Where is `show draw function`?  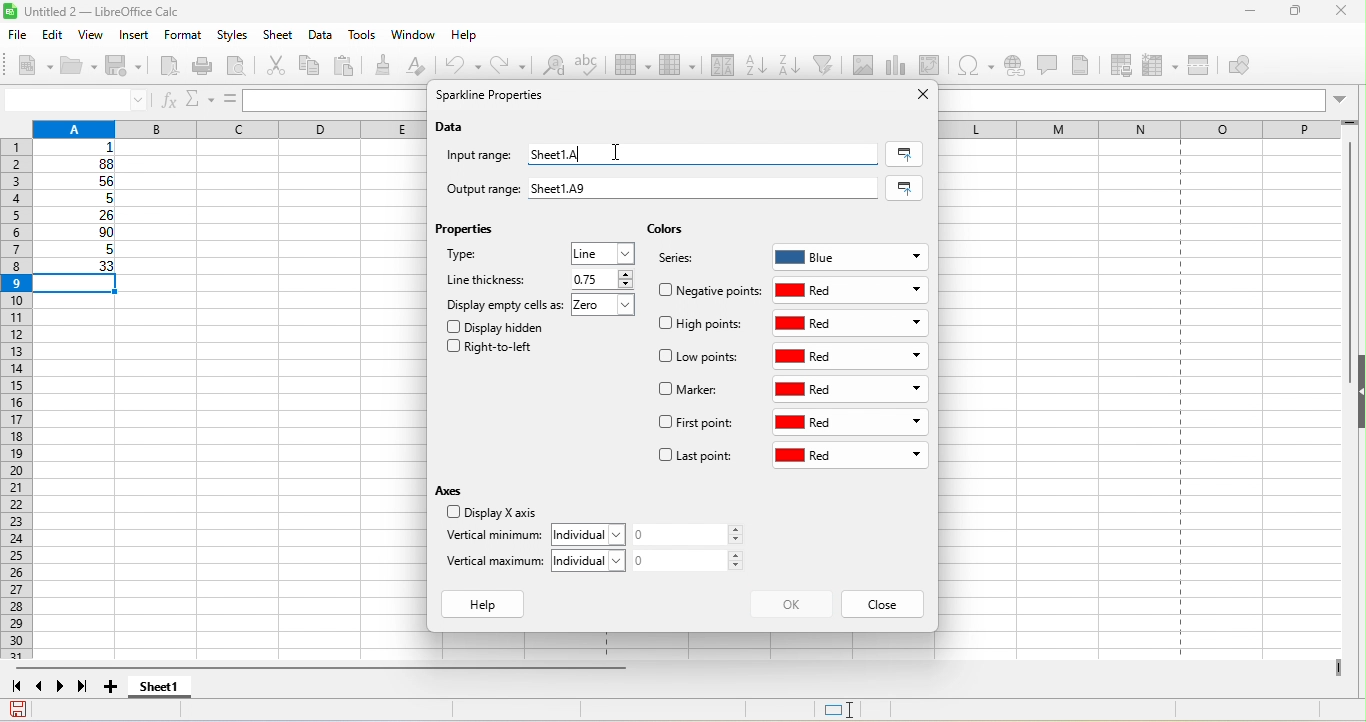
show draw function is located at coordinates (1255, 67).